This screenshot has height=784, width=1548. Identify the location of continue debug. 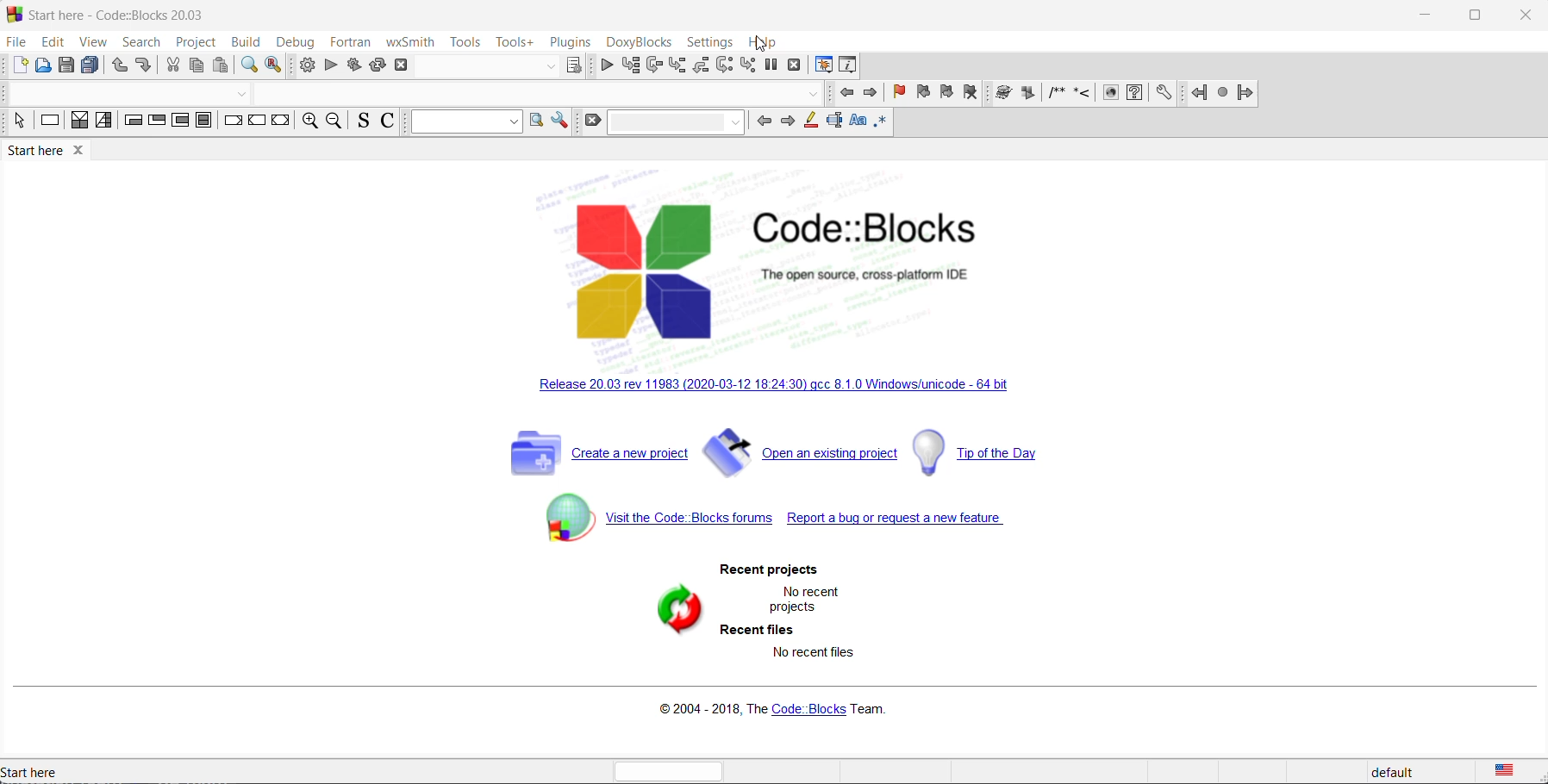
(606, 66).